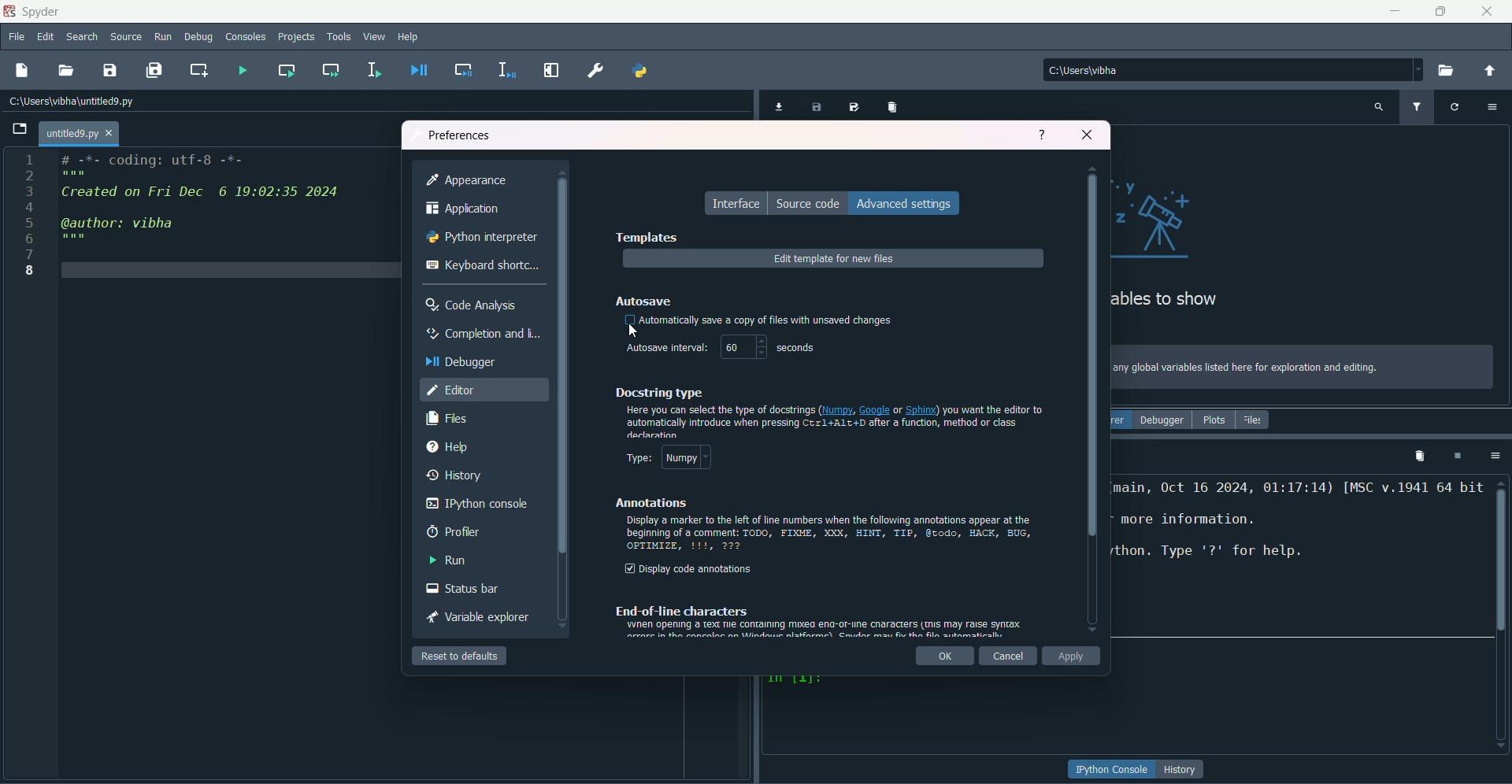 The width and height of the screenshot is (1512, 784). I want to click on pythonpath manager, so click(642, 72).